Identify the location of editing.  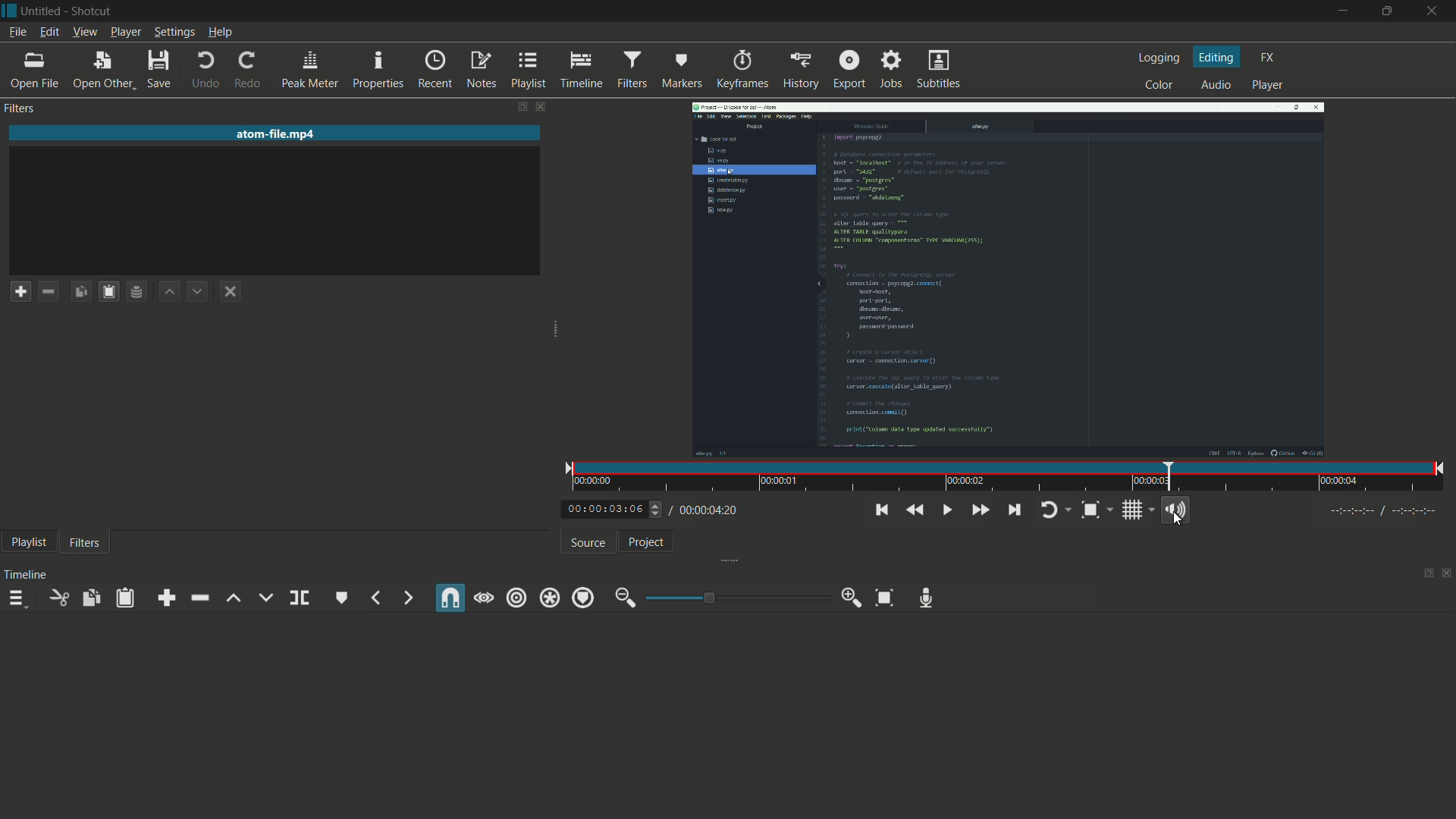
(1218, 57).